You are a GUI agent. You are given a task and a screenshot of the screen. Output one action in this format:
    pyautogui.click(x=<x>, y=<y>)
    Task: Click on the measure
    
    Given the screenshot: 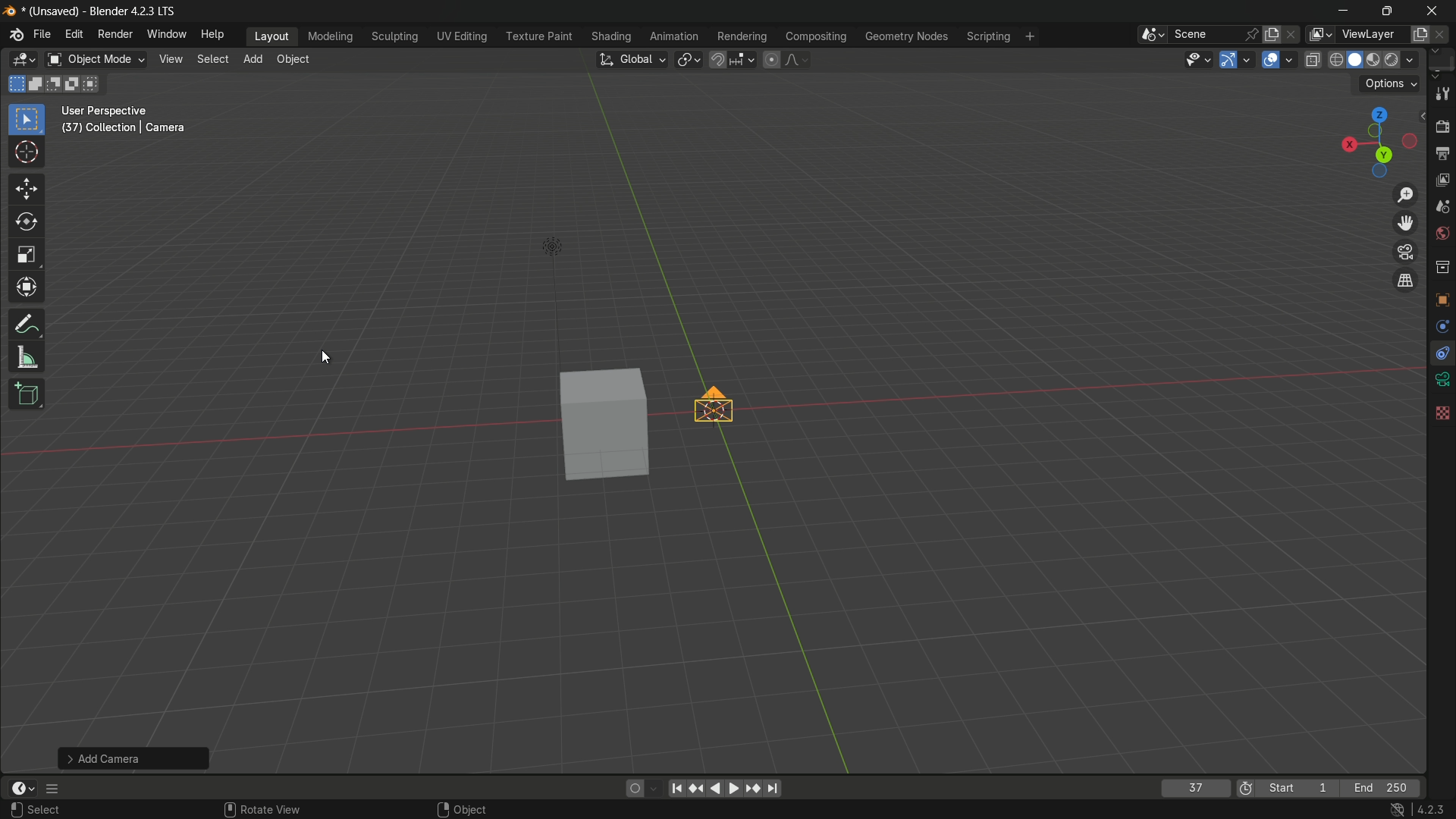 What is the action you would take?
    pyautogui.click(x=27, y=359)
    